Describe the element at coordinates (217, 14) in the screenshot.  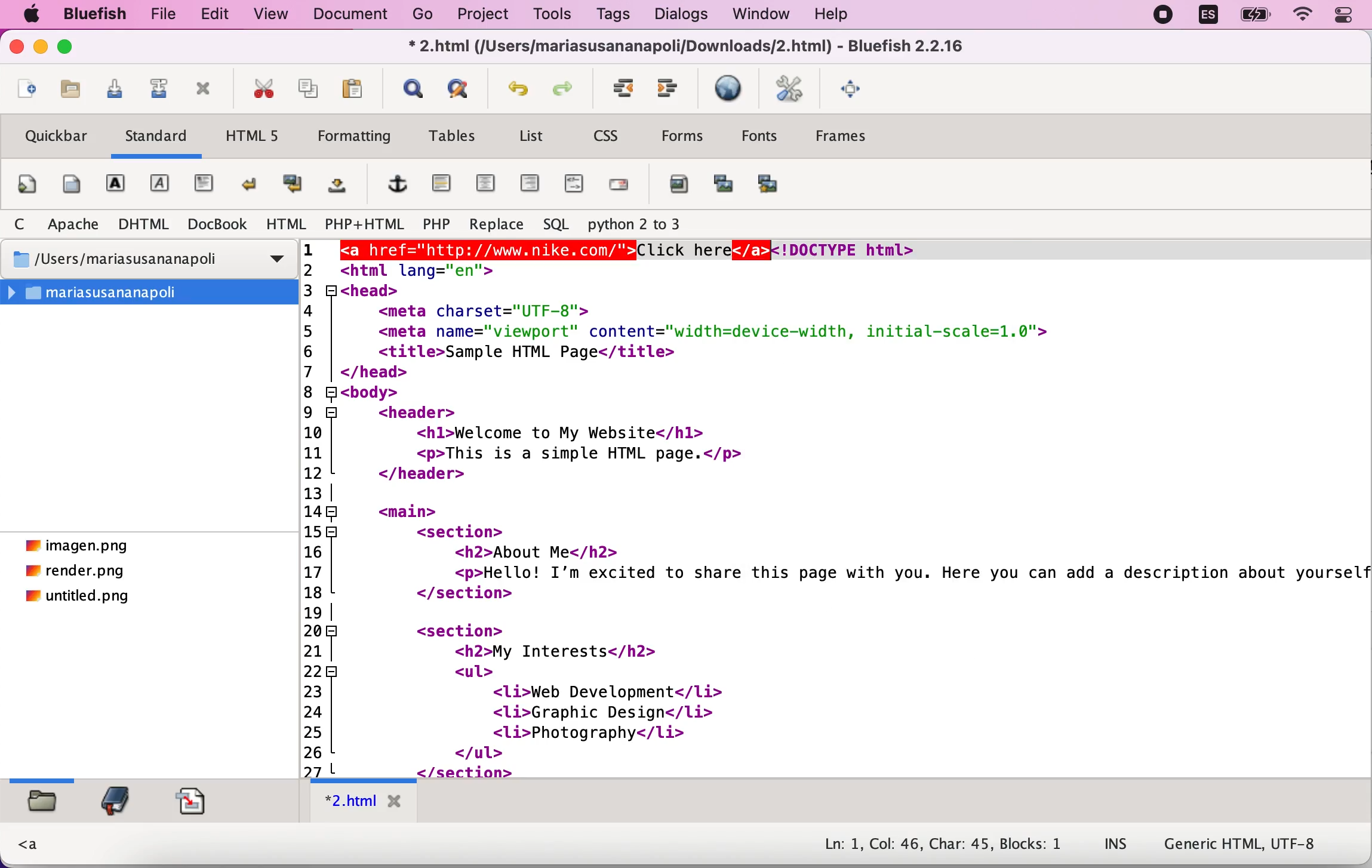
I see `edit` at that location.